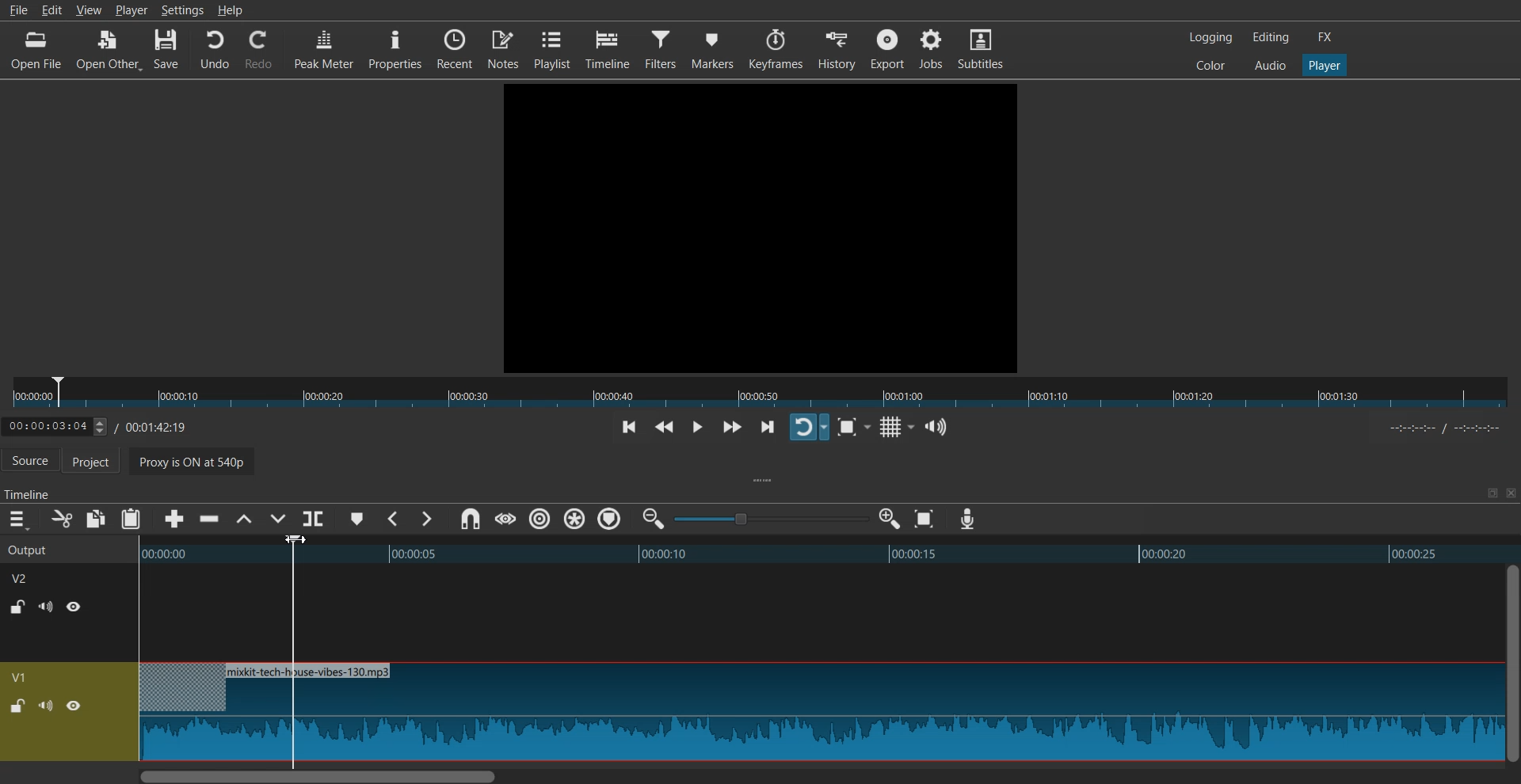 This screenshot has width=1521, height=784. What do you see at coordinates (132, 10) in the screenshot?
I see `Player` at bounding box center [132, 10].